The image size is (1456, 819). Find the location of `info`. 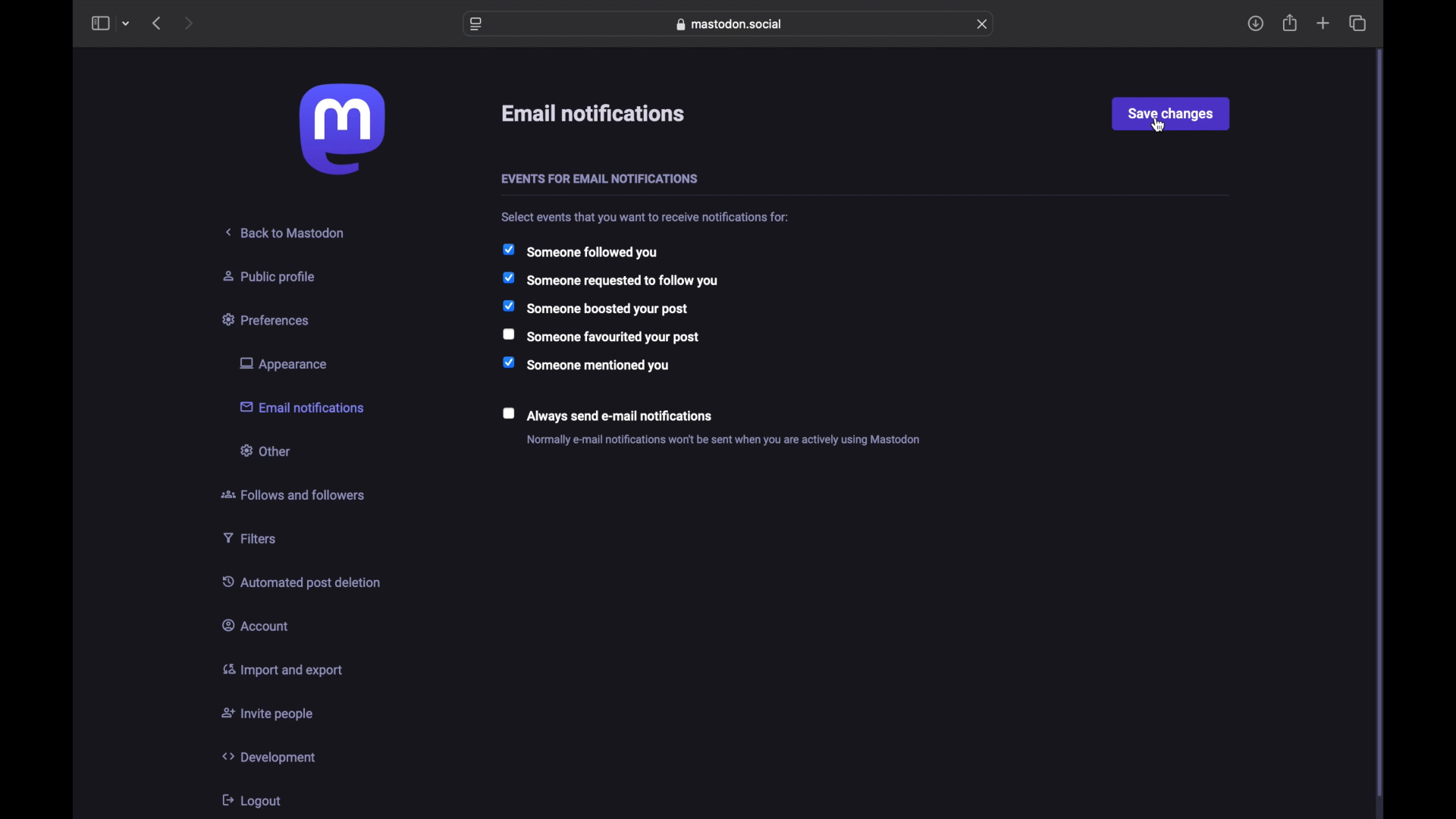

info is located at coordinates (723, 440).